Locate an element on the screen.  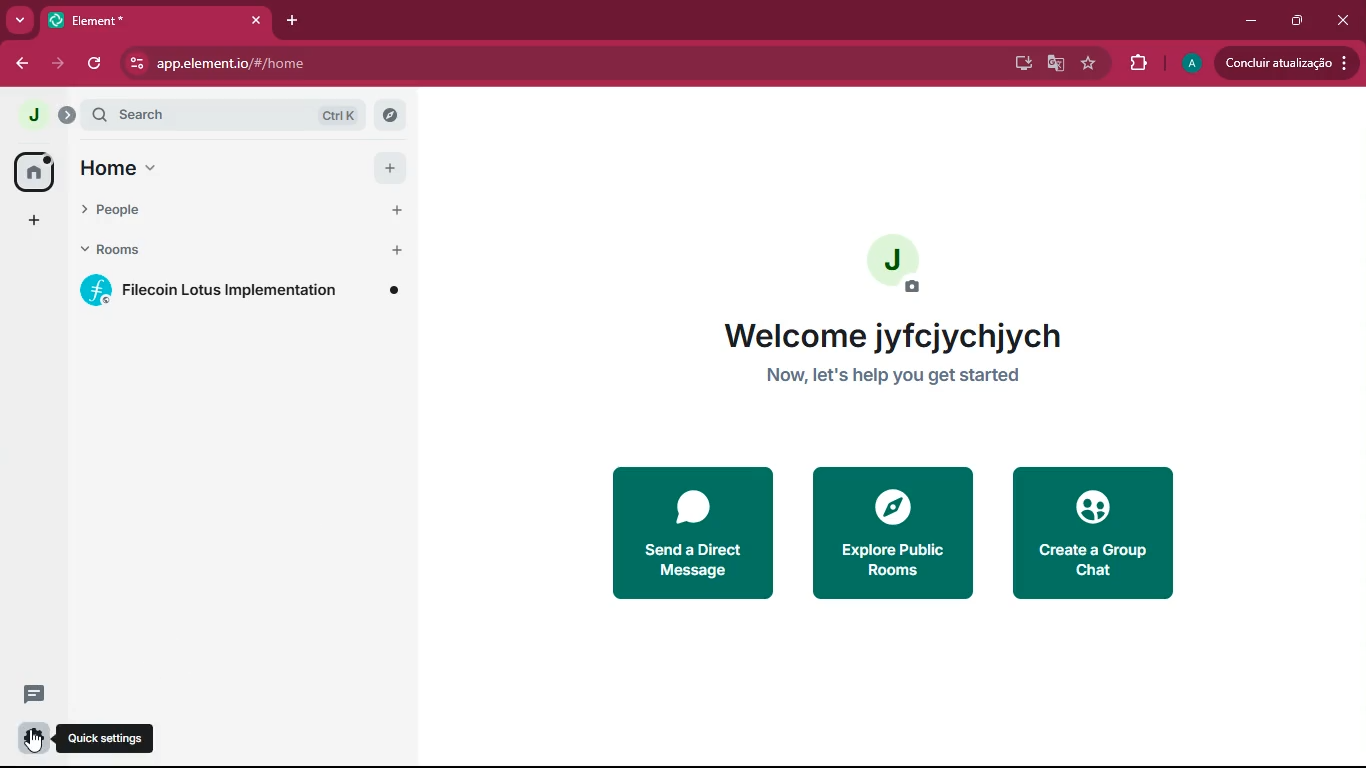
add button is located at coordinates (391, 168).